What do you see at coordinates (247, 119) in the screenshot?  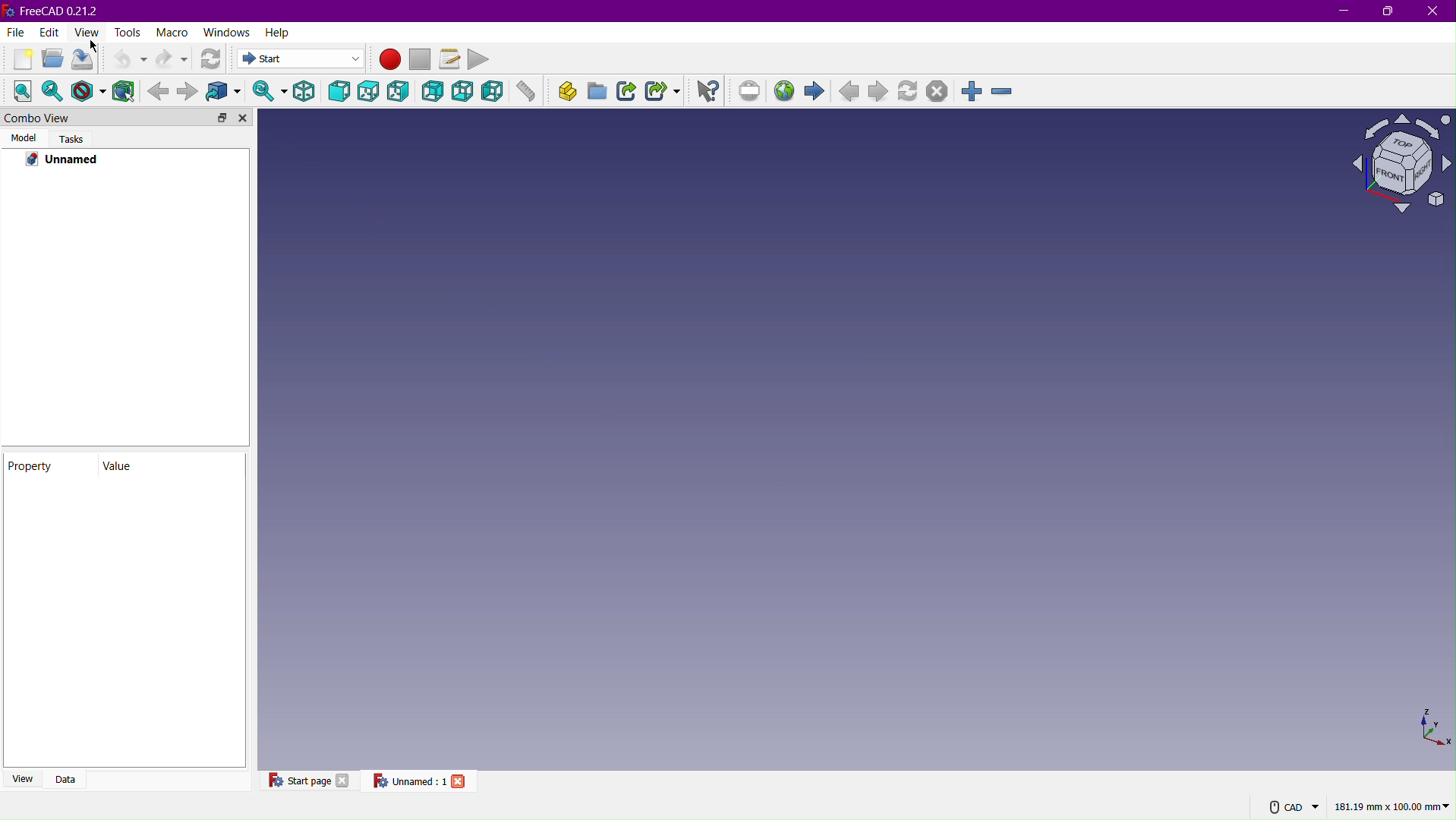 I see `Close` at bounding box center [247, 119].